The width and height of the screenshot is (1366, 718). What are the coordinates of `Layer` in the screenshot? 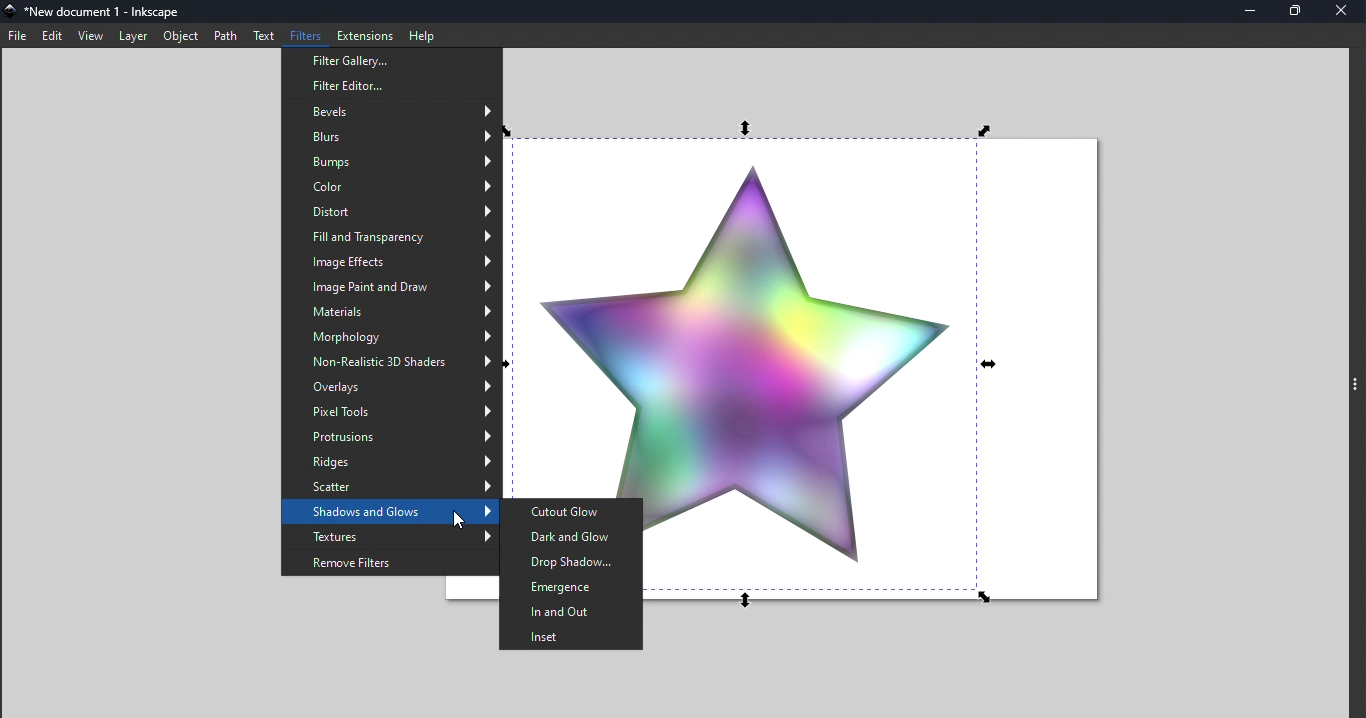 It's located at (131, 36).